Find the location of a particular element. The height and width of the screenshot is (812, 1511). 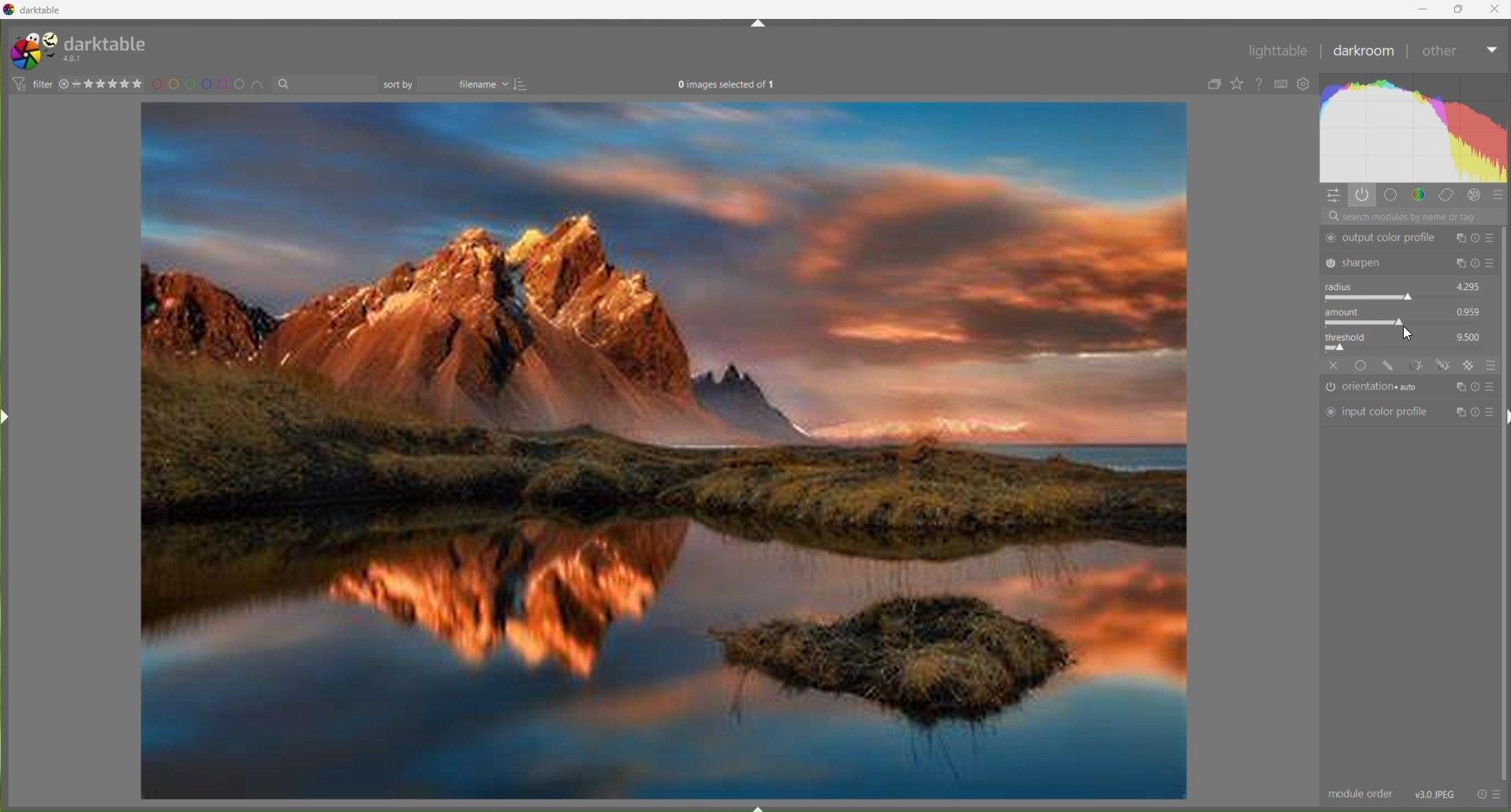

tool is located at coordinates (1444, 365).